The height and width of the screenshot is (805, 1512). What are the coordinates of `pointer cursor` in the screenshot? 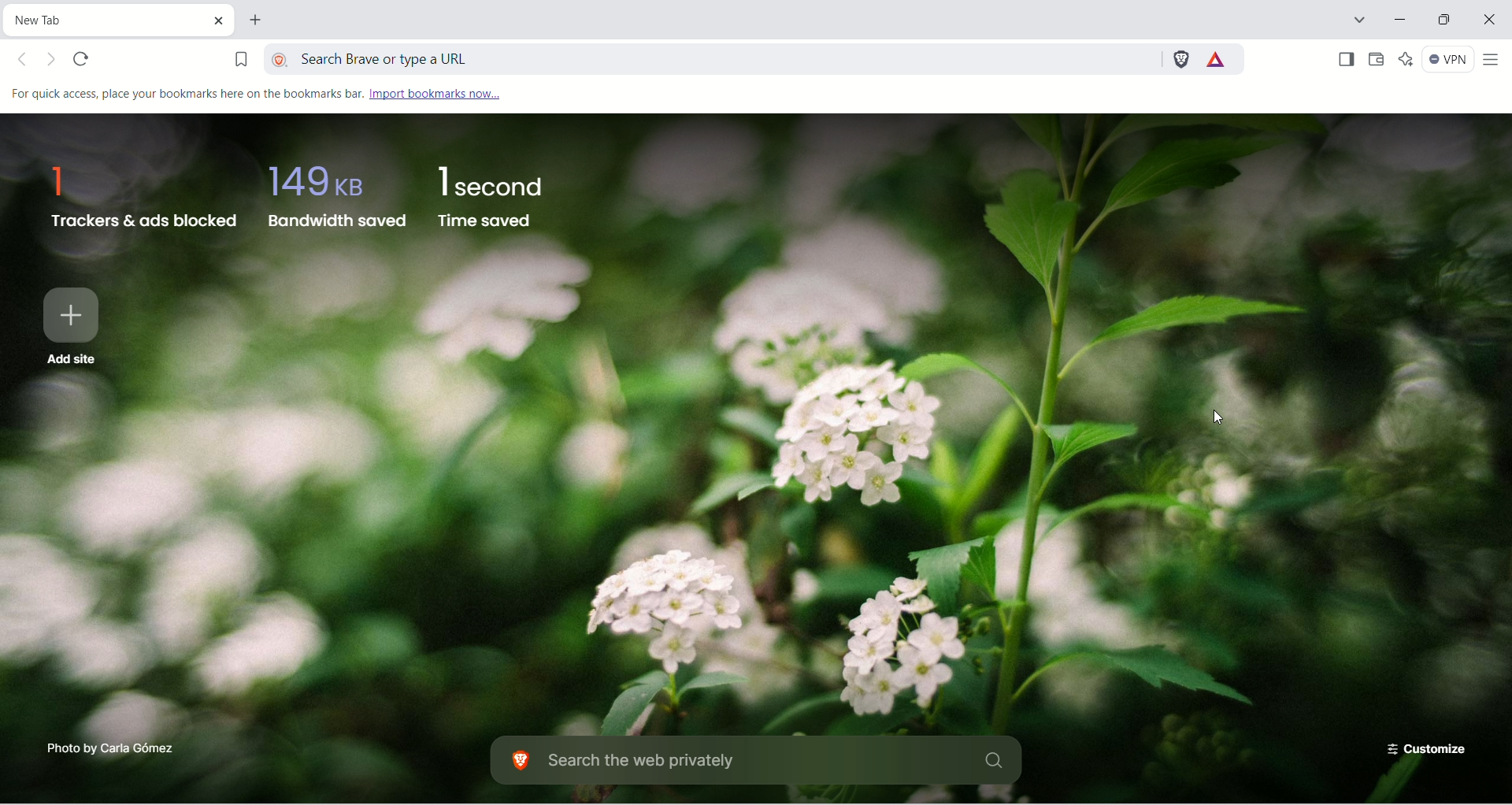 It's located at (1207, 421).